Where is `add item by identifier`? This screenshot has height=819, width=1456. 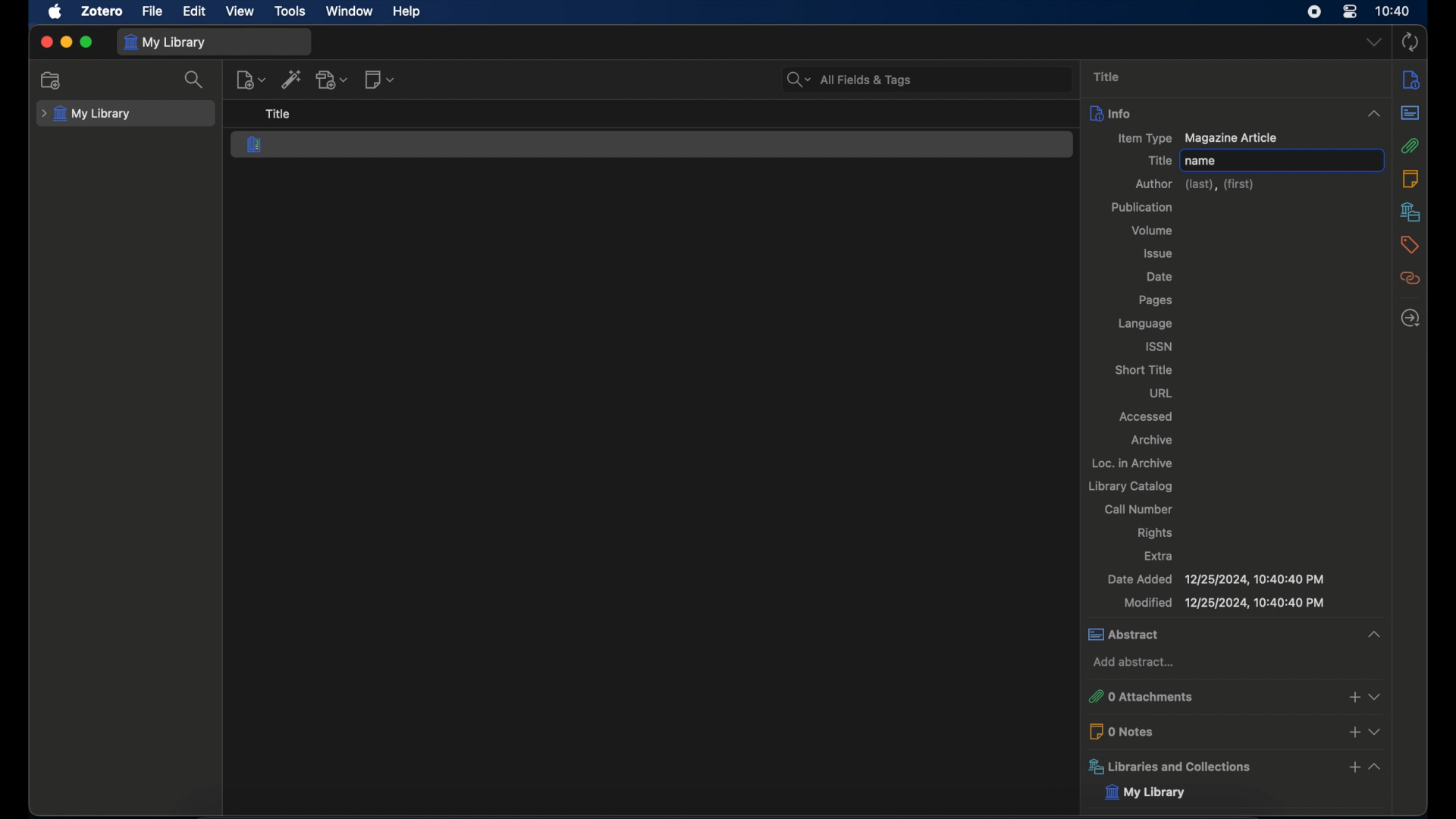
add item by identifier is located at coordinates (292, 79).